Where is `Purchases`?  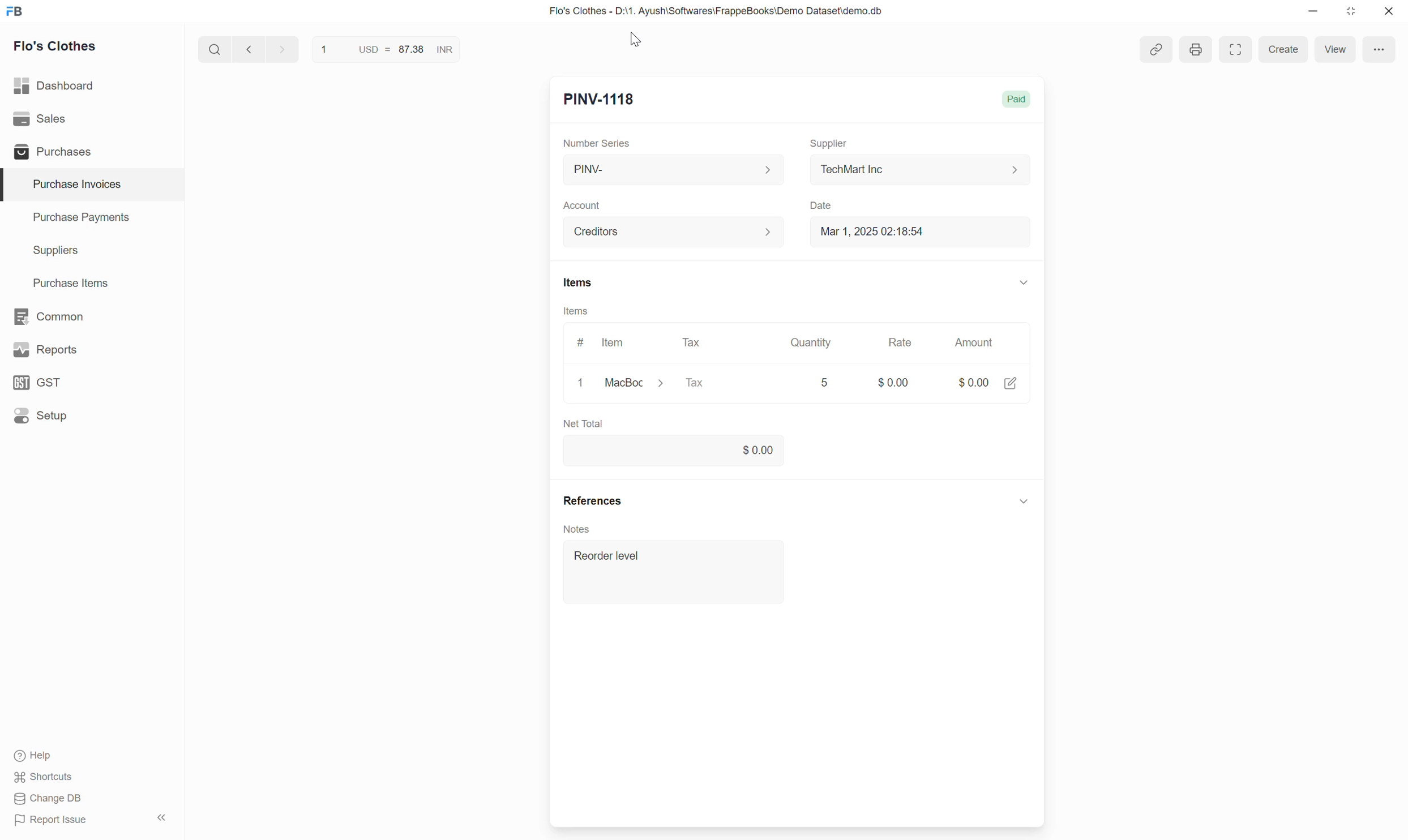
Purchases is located at coordinates (91, 151).